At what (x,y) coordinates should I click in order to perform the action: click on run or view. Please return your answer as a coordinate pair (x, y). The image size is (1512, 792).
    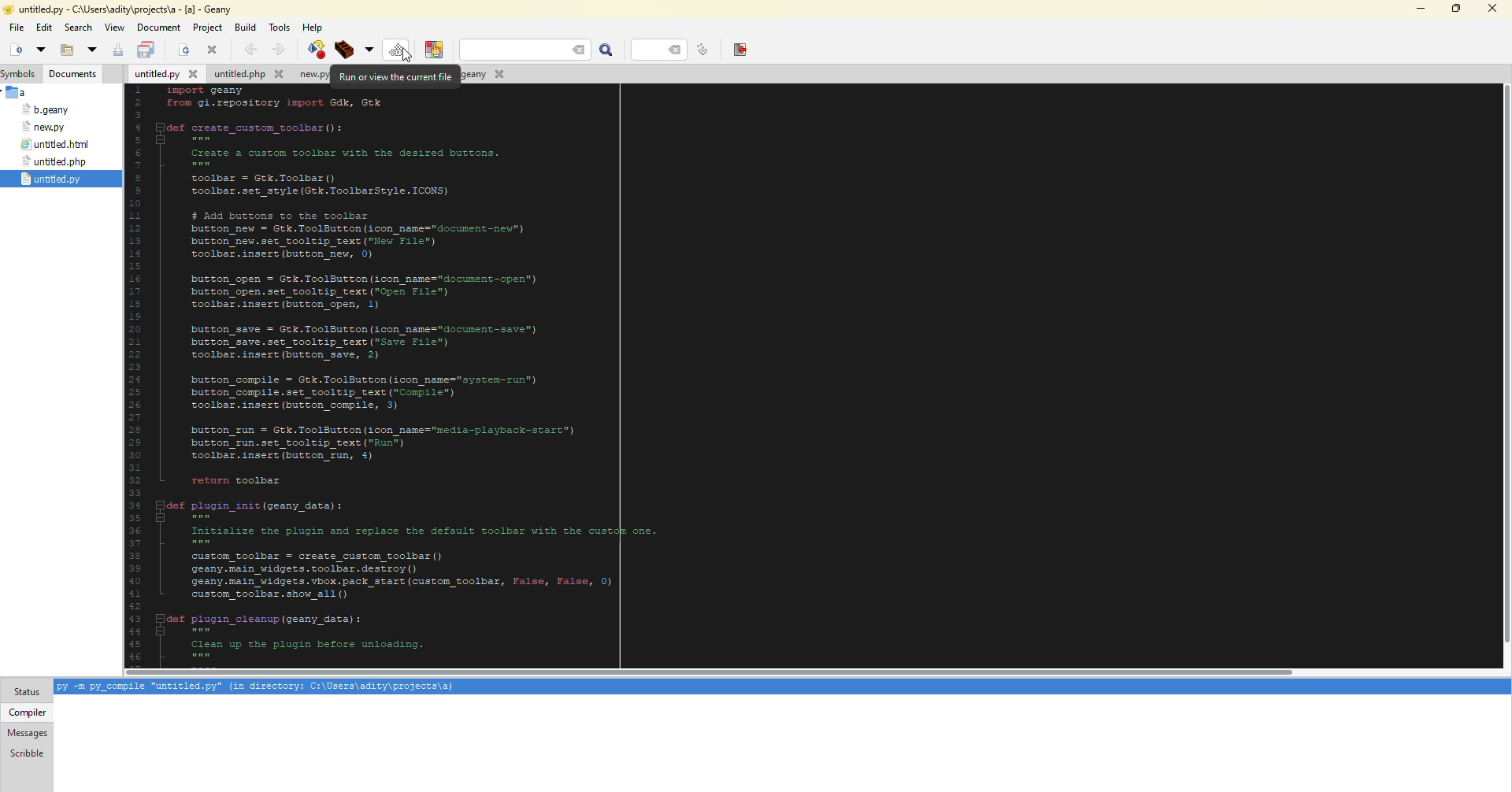
    Looking at the image, I should click on (398, 77).